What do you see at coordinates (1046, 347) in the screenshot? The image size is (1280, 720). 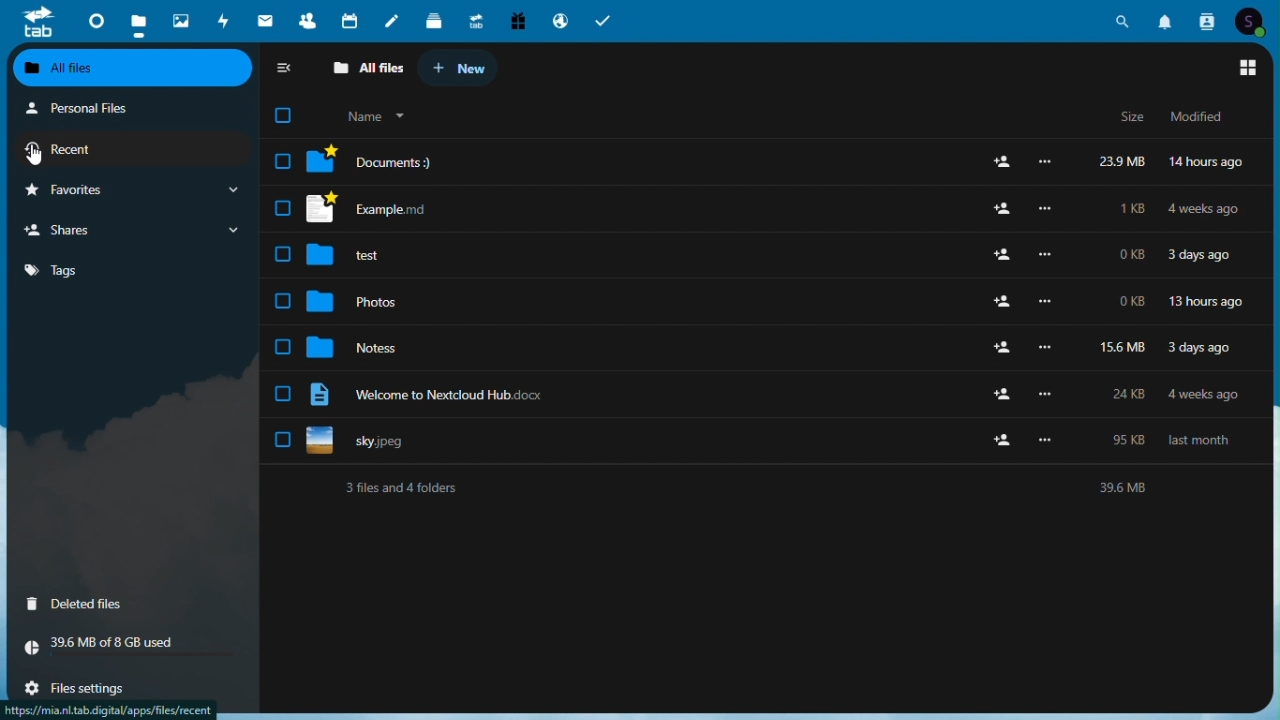 I see `options` at bounding box center [1046, 347].